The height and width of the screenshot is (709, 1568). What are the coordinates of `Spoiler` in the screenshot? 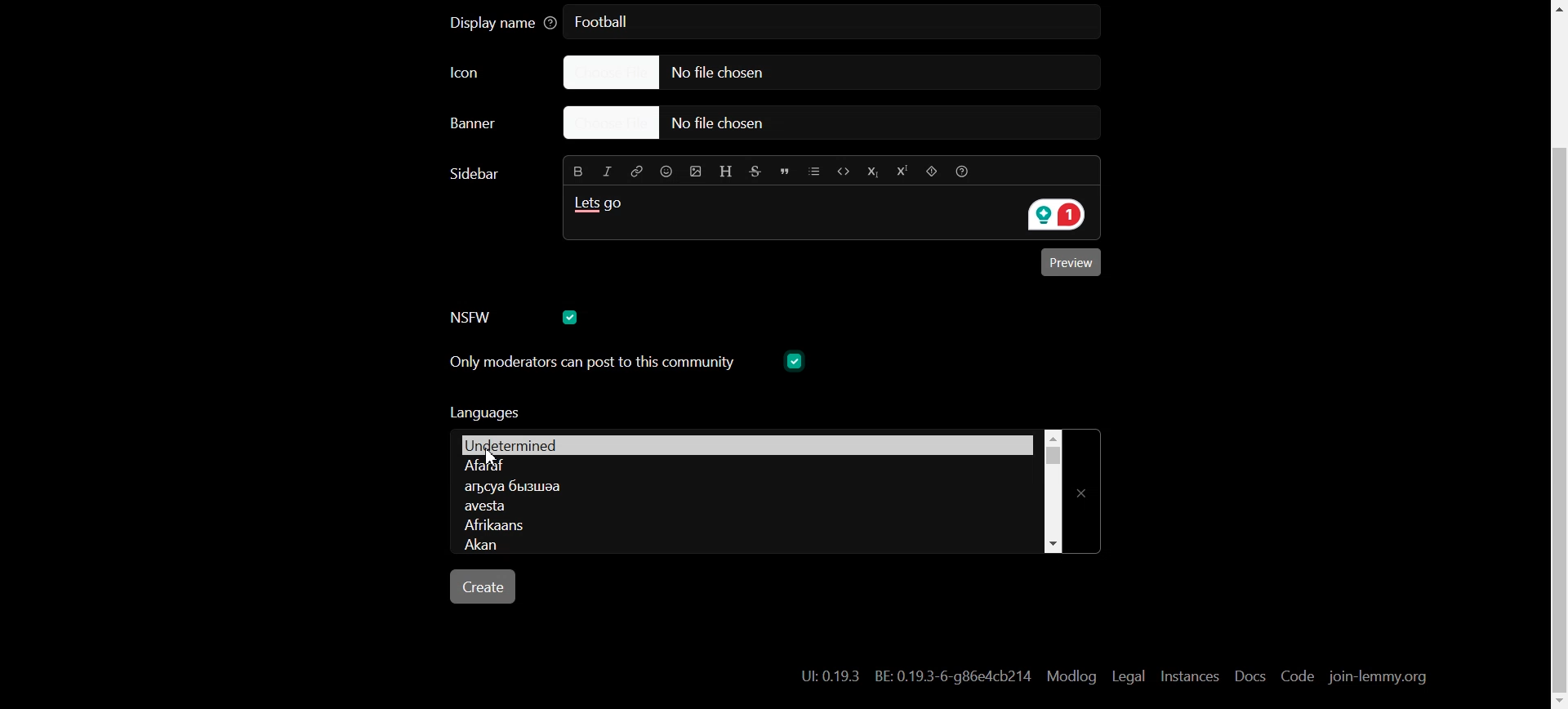 It's located at (930, 172).